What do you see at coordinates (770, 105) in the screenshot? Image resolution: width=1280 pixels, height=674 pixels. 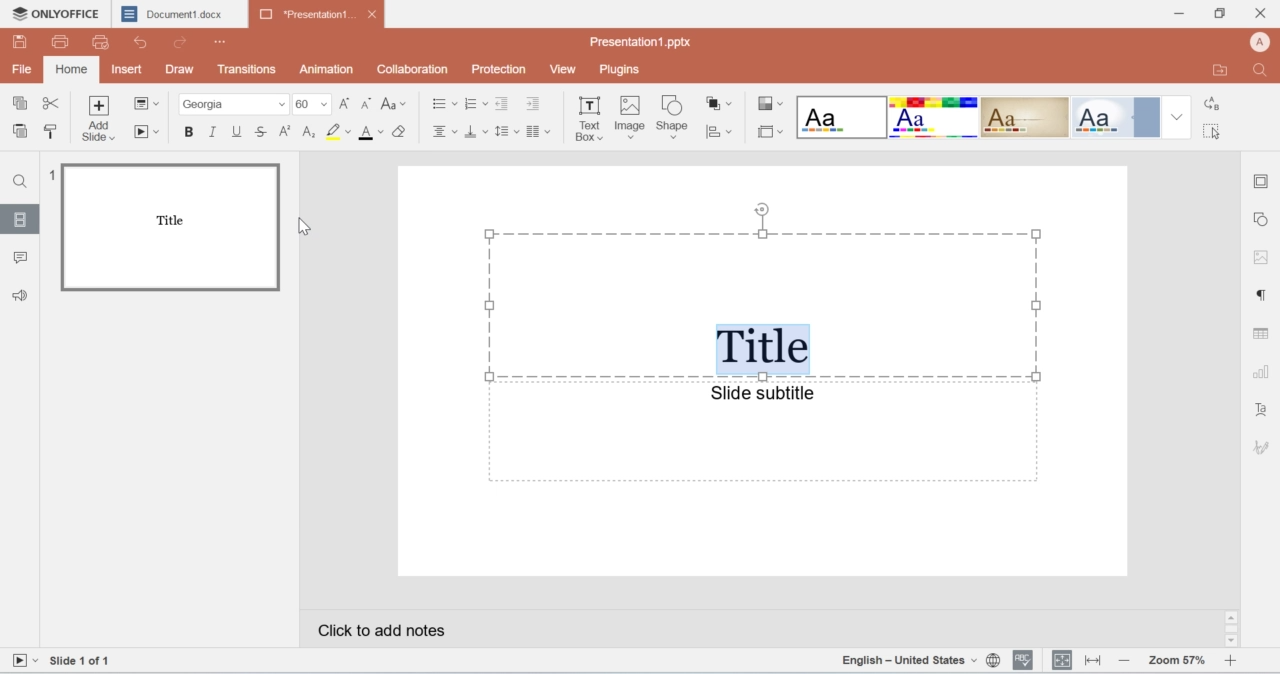 I see `style` at bounding box center [770, 105].